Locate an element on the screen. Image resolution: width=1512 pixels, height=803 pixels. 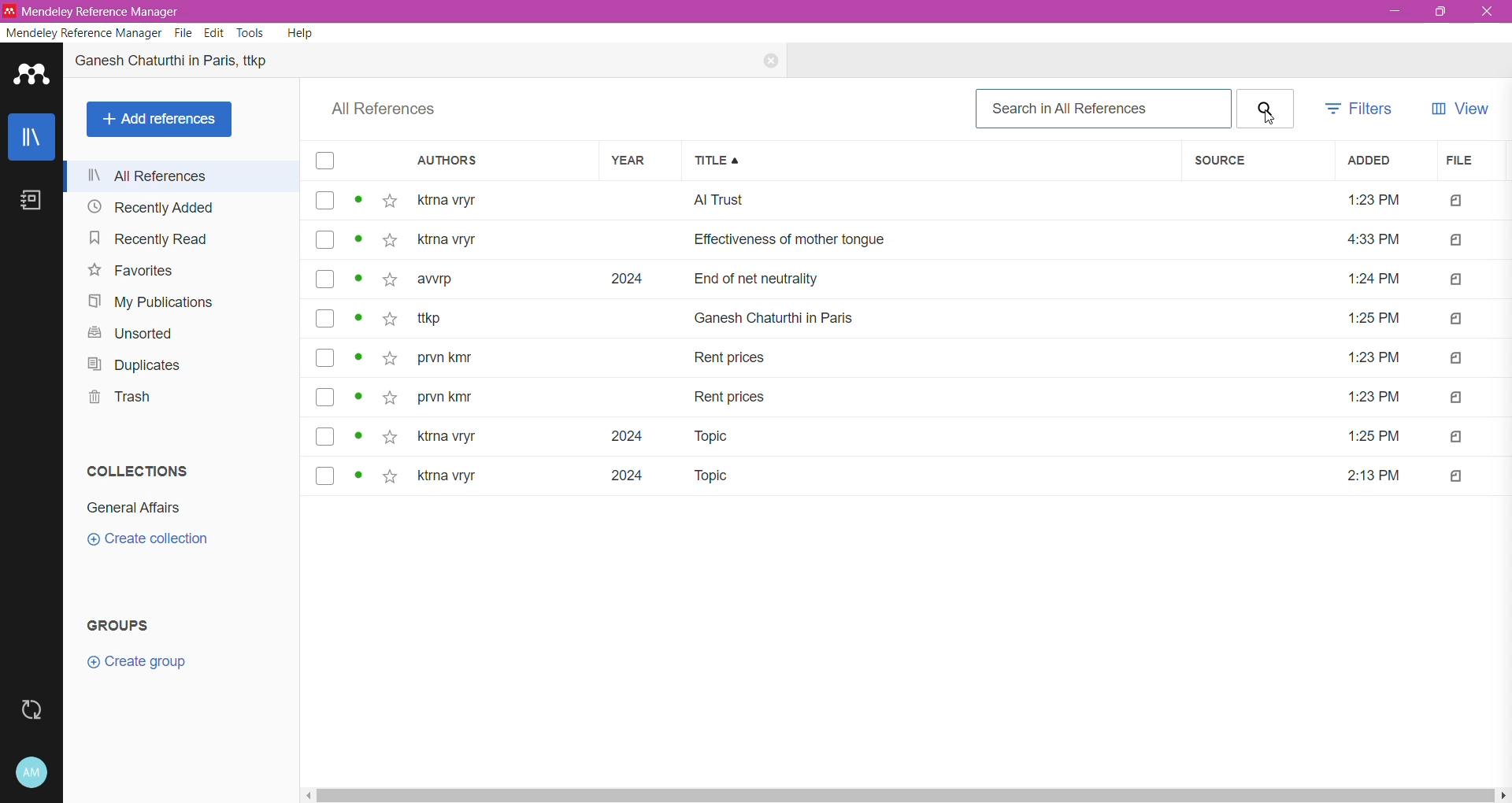
view status is located at coordinates (360, 358).